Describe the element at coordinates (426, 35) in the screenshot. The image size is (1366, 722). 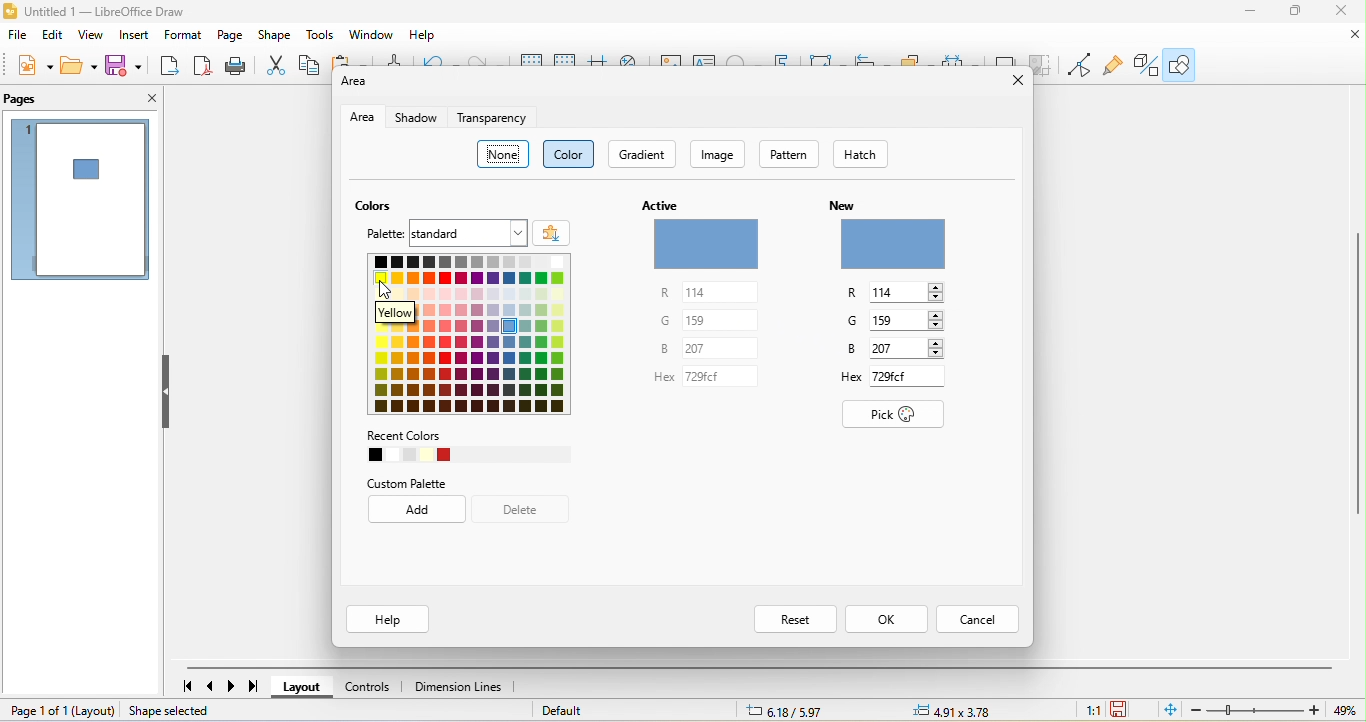
I see `help` at that location.